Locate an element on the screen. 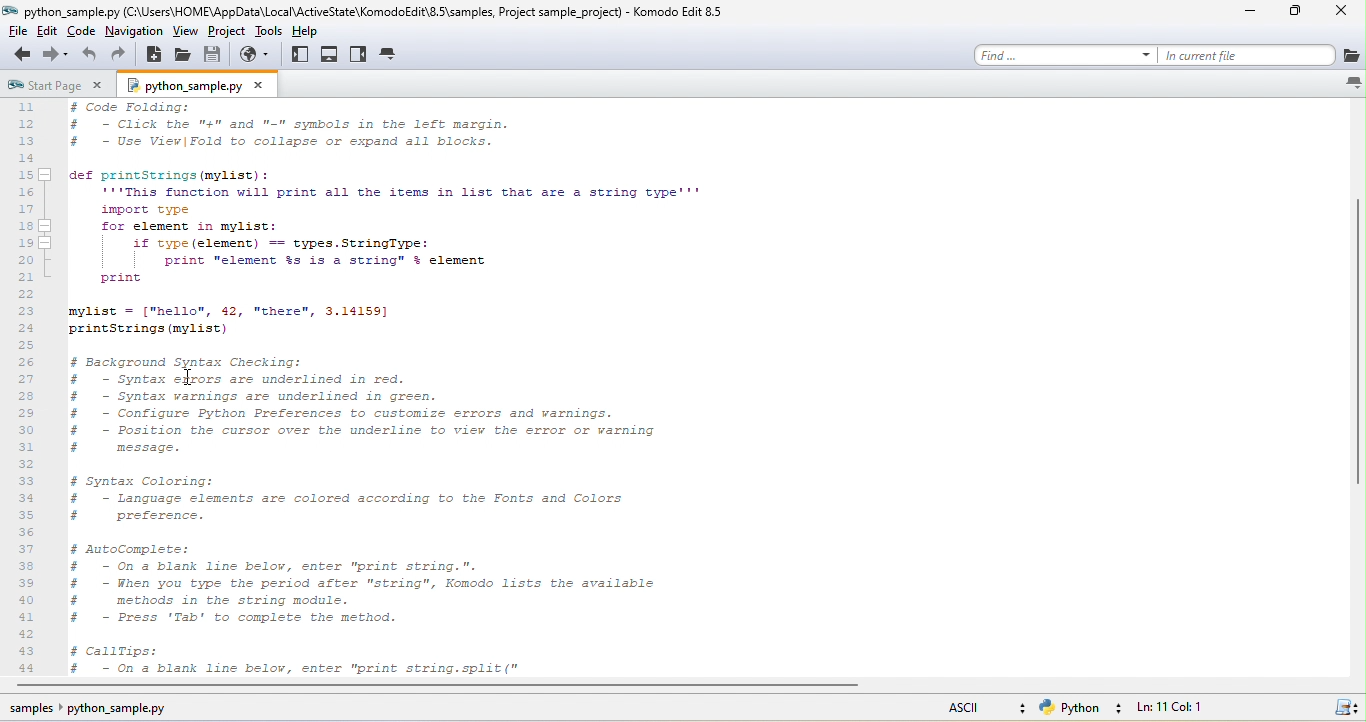 Image resolution: width=1366 pixels, height=722 pixels. komodo text is located at coordinates (366, 390).